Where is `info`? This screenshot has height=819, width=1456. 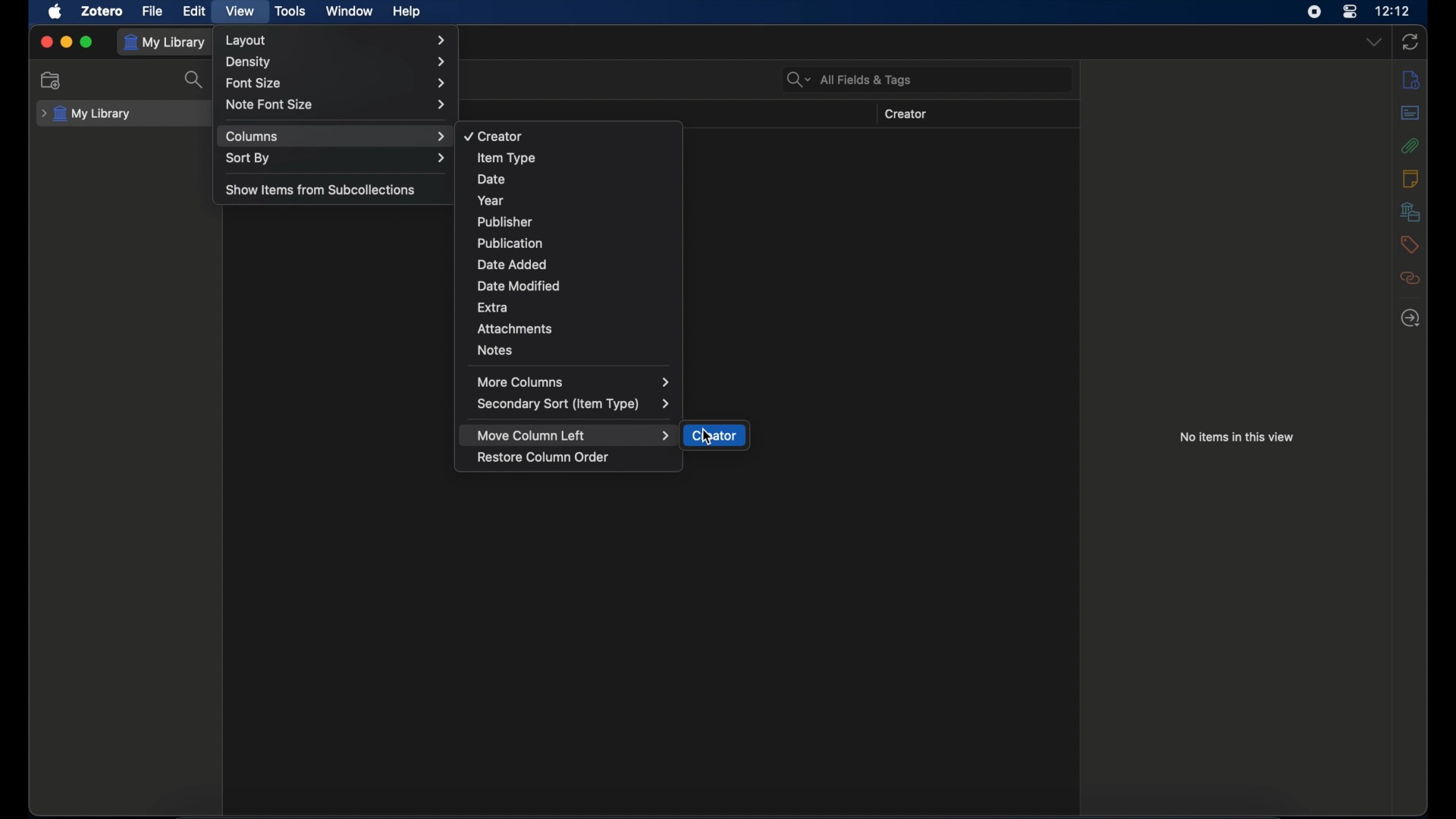 info is located at coordinates (1411, 81).